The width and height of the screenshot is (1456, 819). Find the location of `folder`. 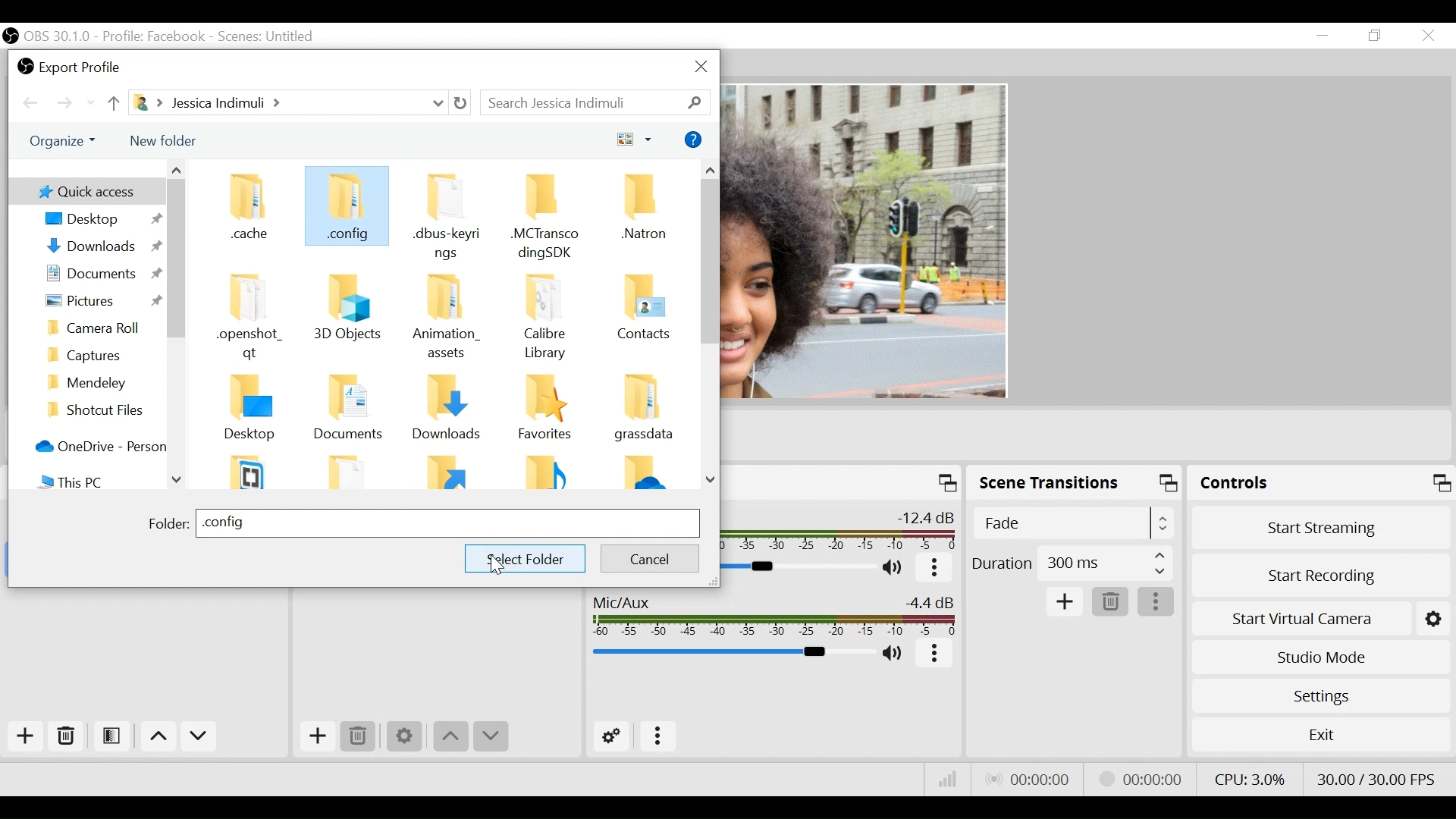

folder is located at coordinates (168, 526).